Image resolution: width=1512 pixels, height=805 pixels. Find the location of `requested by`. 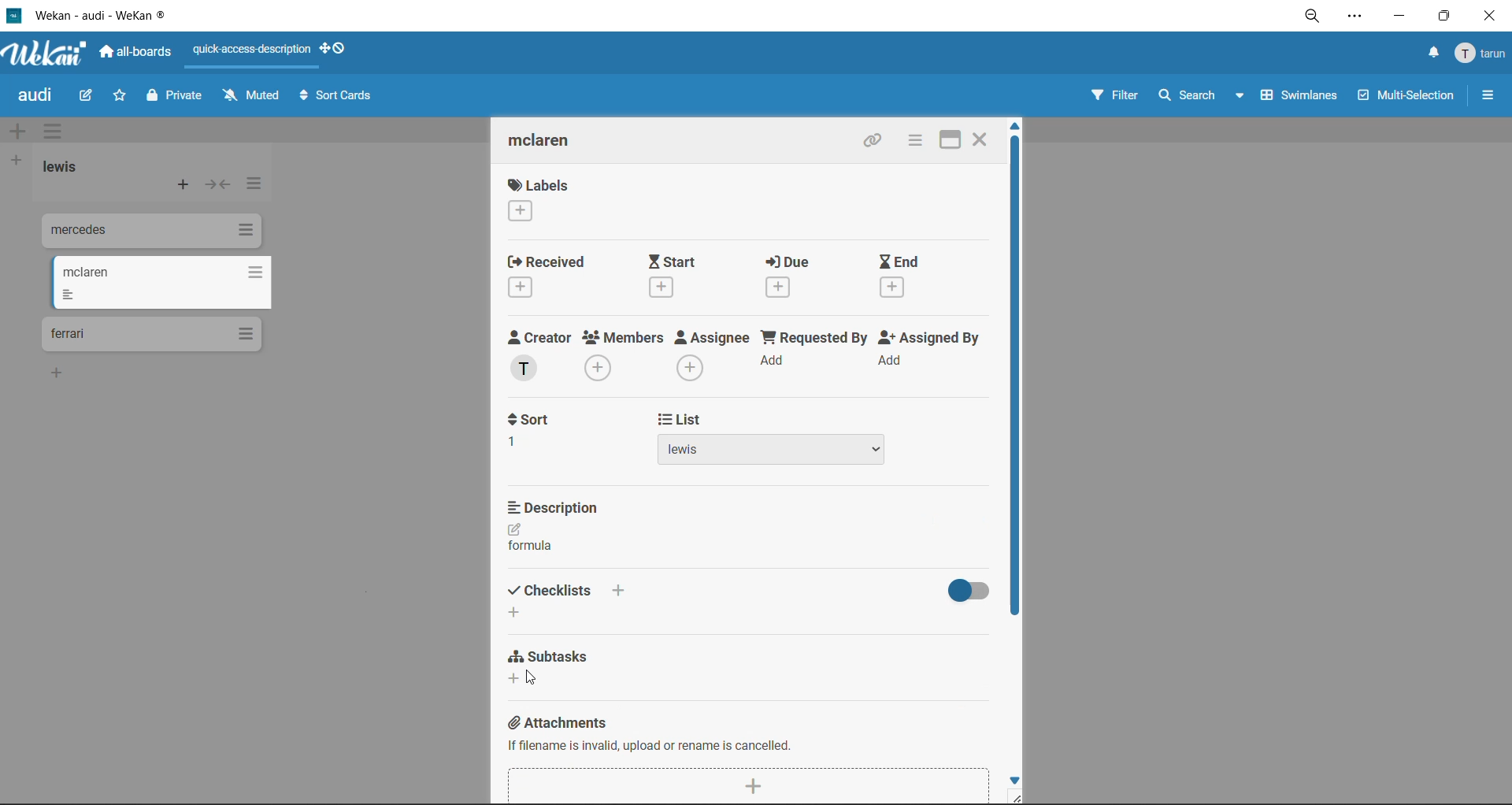

requested by is located at coordinates (813, 354).